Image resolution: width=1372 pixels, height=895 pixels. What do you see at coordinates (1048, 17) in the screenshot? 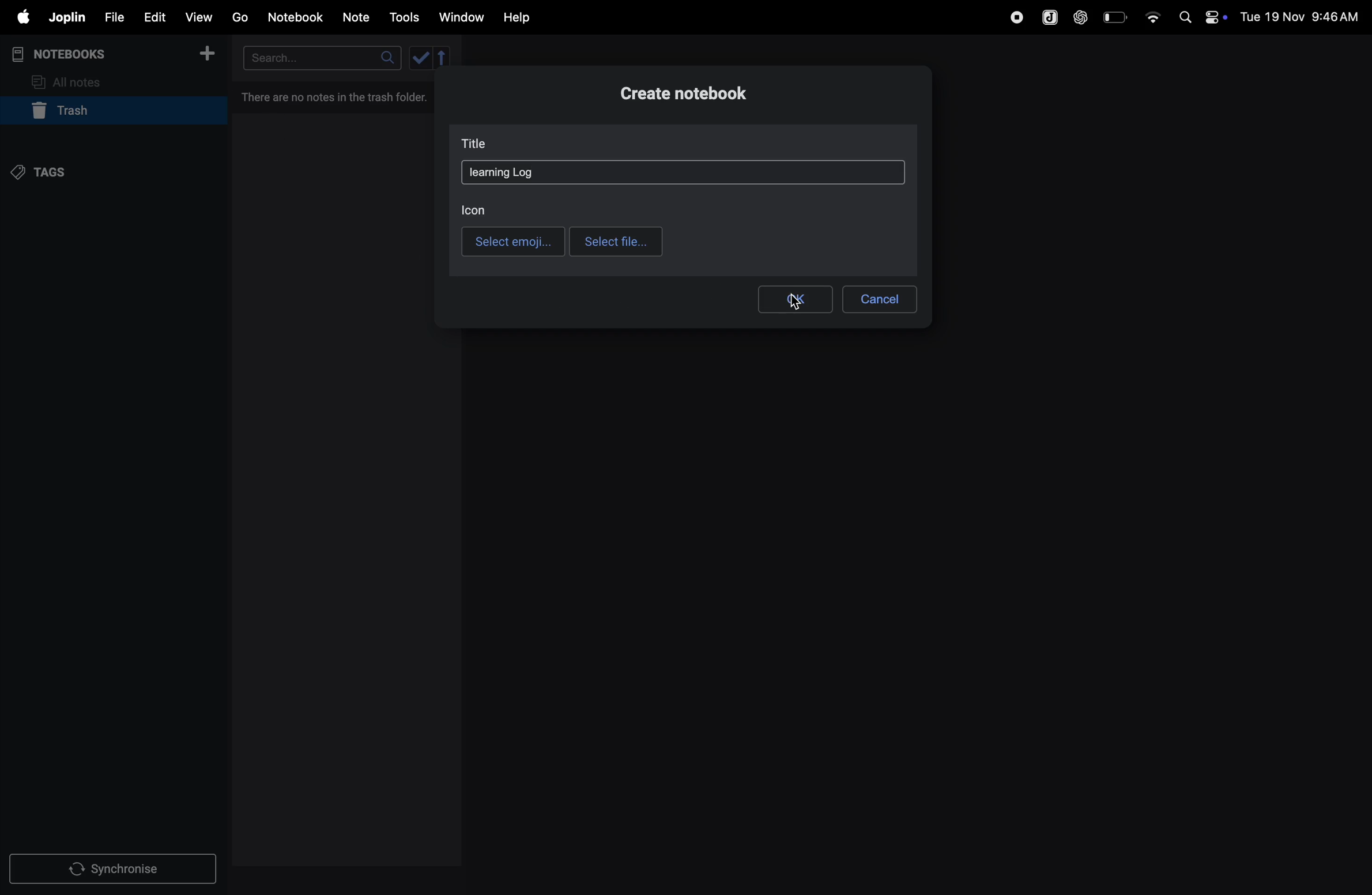
I see `joplin` at bounding box center [1048, 17].